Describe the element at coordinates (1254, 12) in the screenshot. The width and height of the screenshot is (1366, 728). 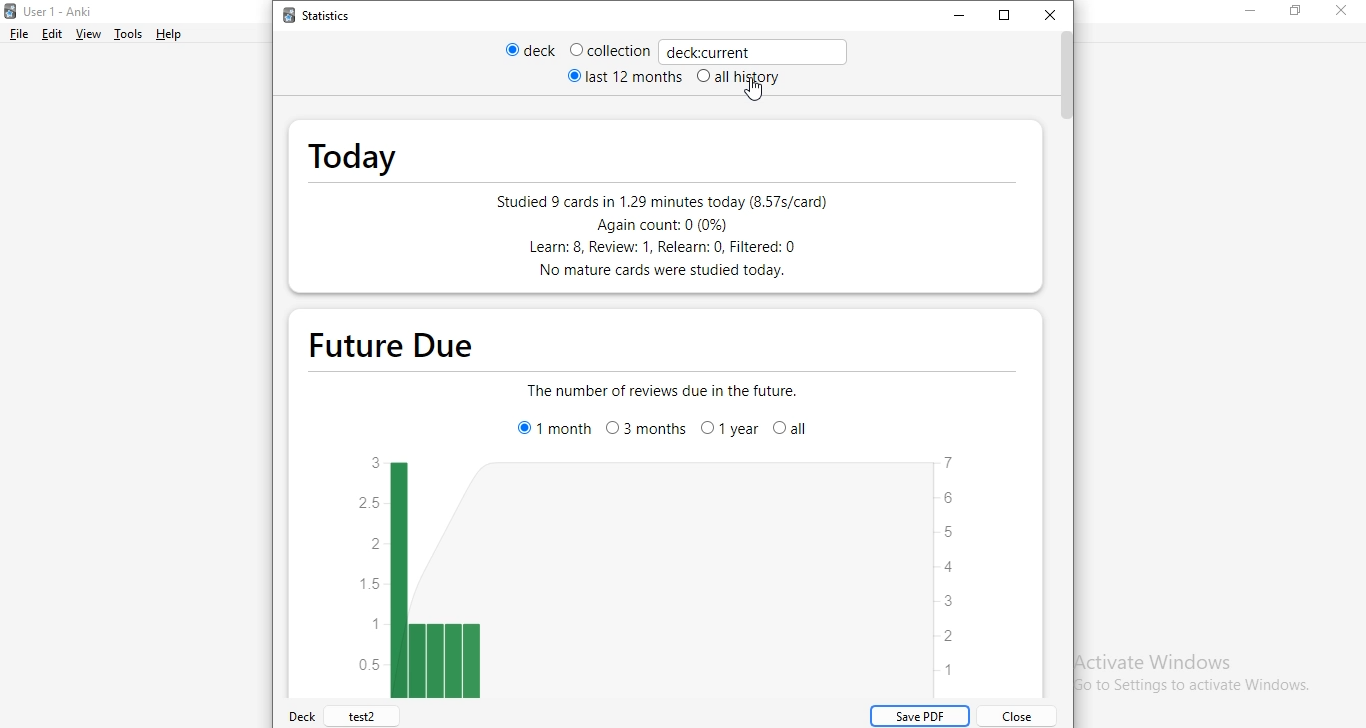
I see `minimise` at that location.